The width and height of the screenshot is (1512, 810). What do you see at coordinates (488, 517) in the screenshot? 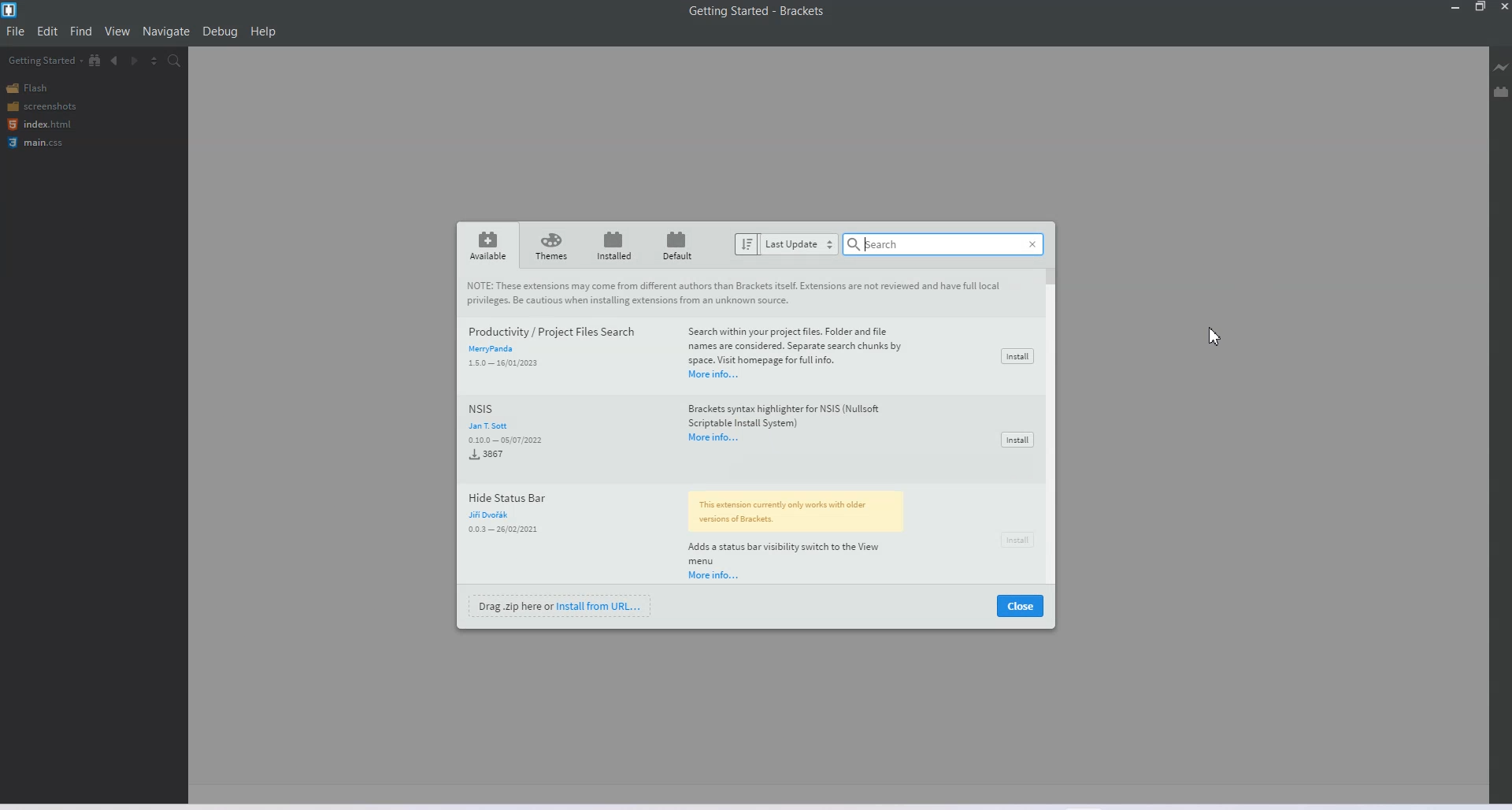
I see `juri dvorak` at bounding box center [488, 517].